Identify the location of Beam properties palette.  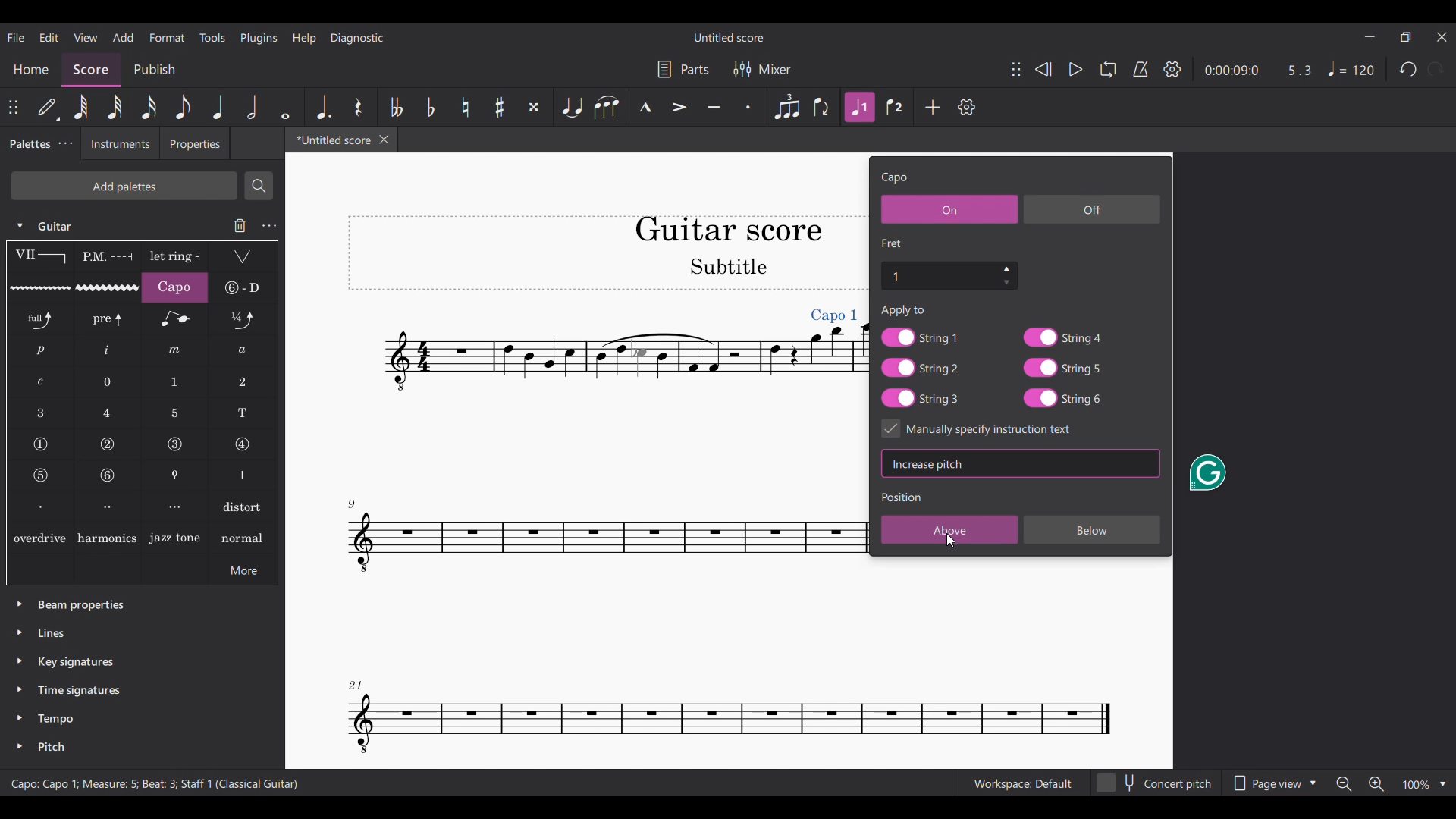
(81, 606).